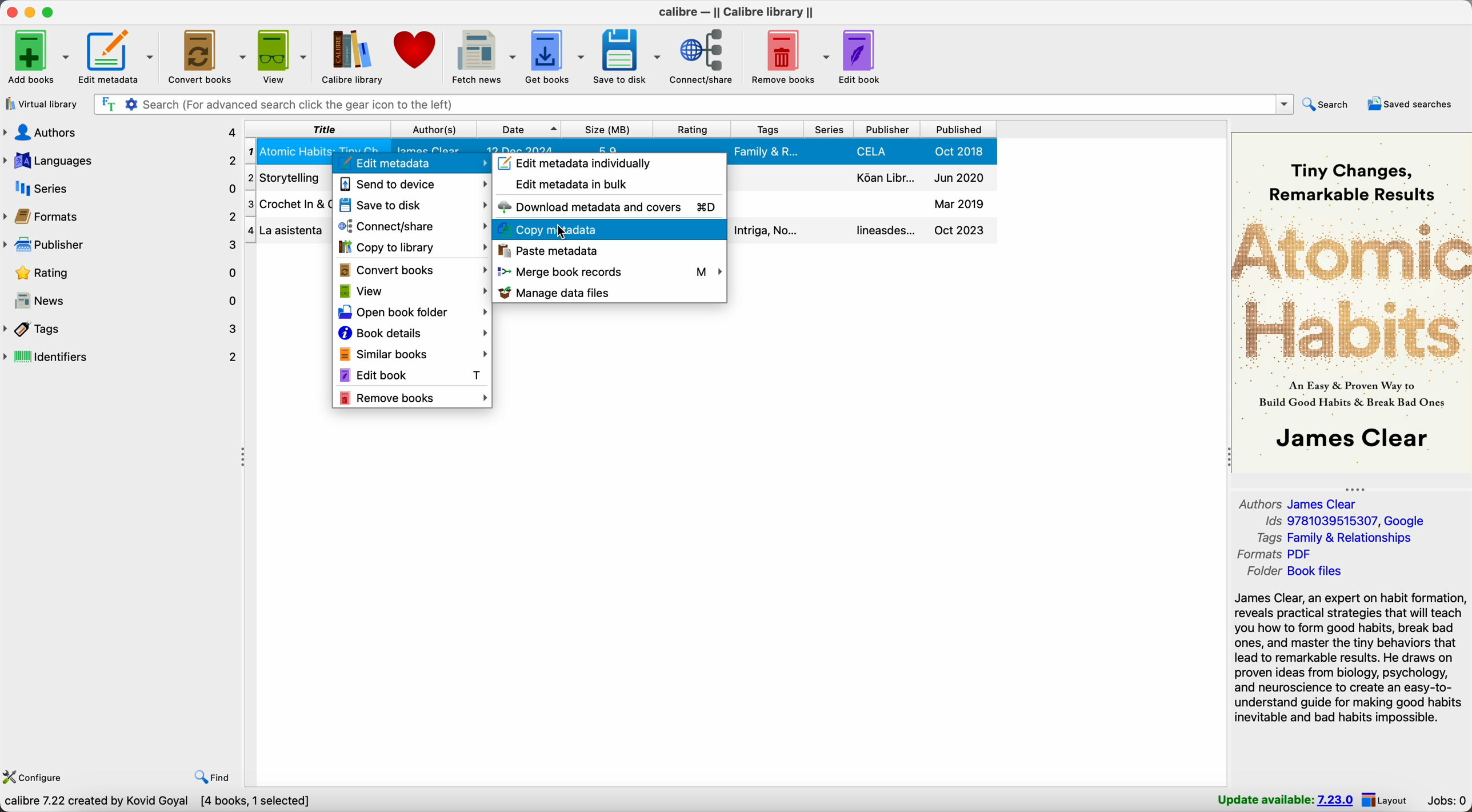 This screenshot has height=812, width=1472. I want to click on donate, so click(416, 49).